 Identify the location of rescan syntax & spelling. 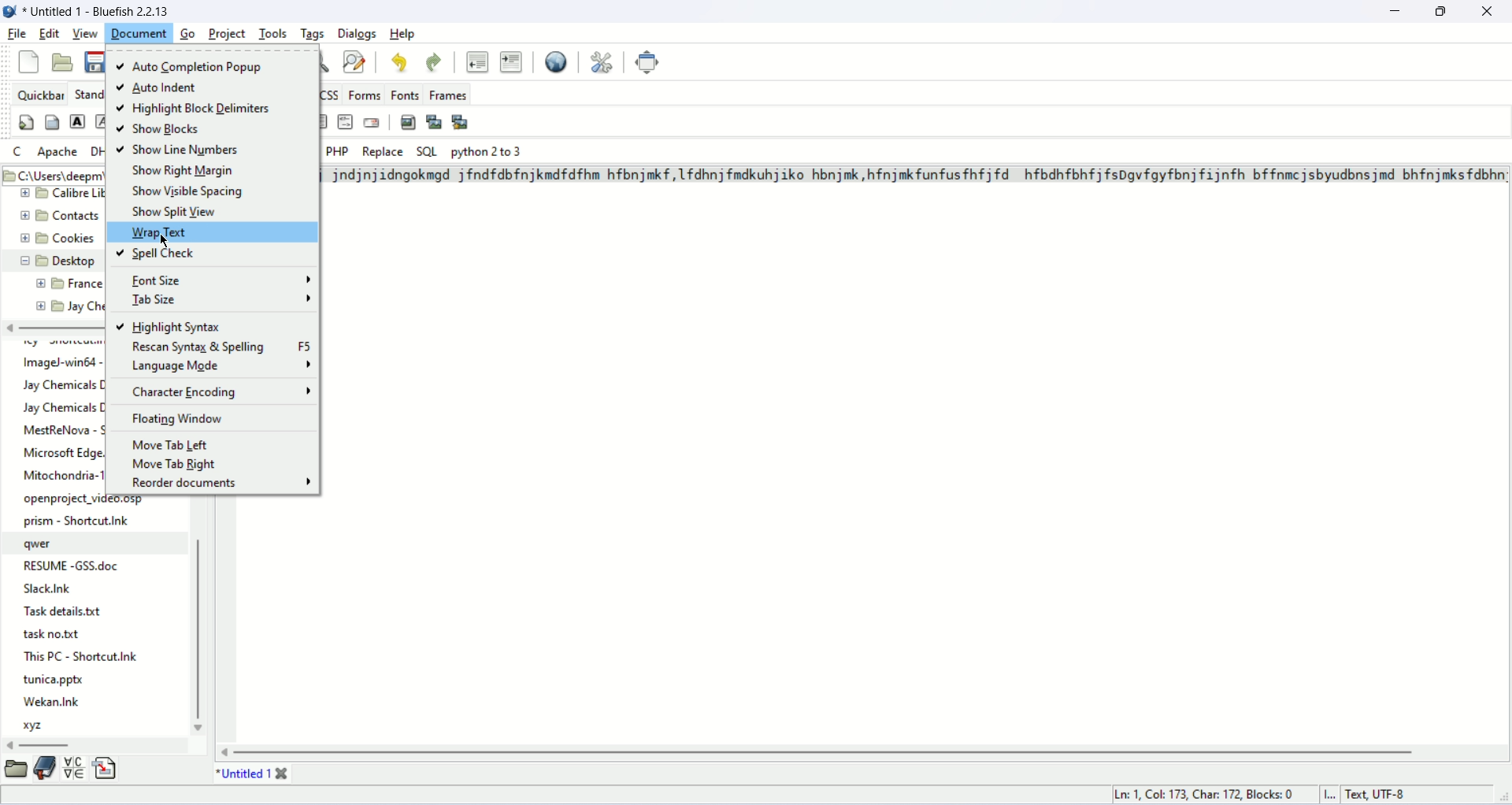
(221, 347).